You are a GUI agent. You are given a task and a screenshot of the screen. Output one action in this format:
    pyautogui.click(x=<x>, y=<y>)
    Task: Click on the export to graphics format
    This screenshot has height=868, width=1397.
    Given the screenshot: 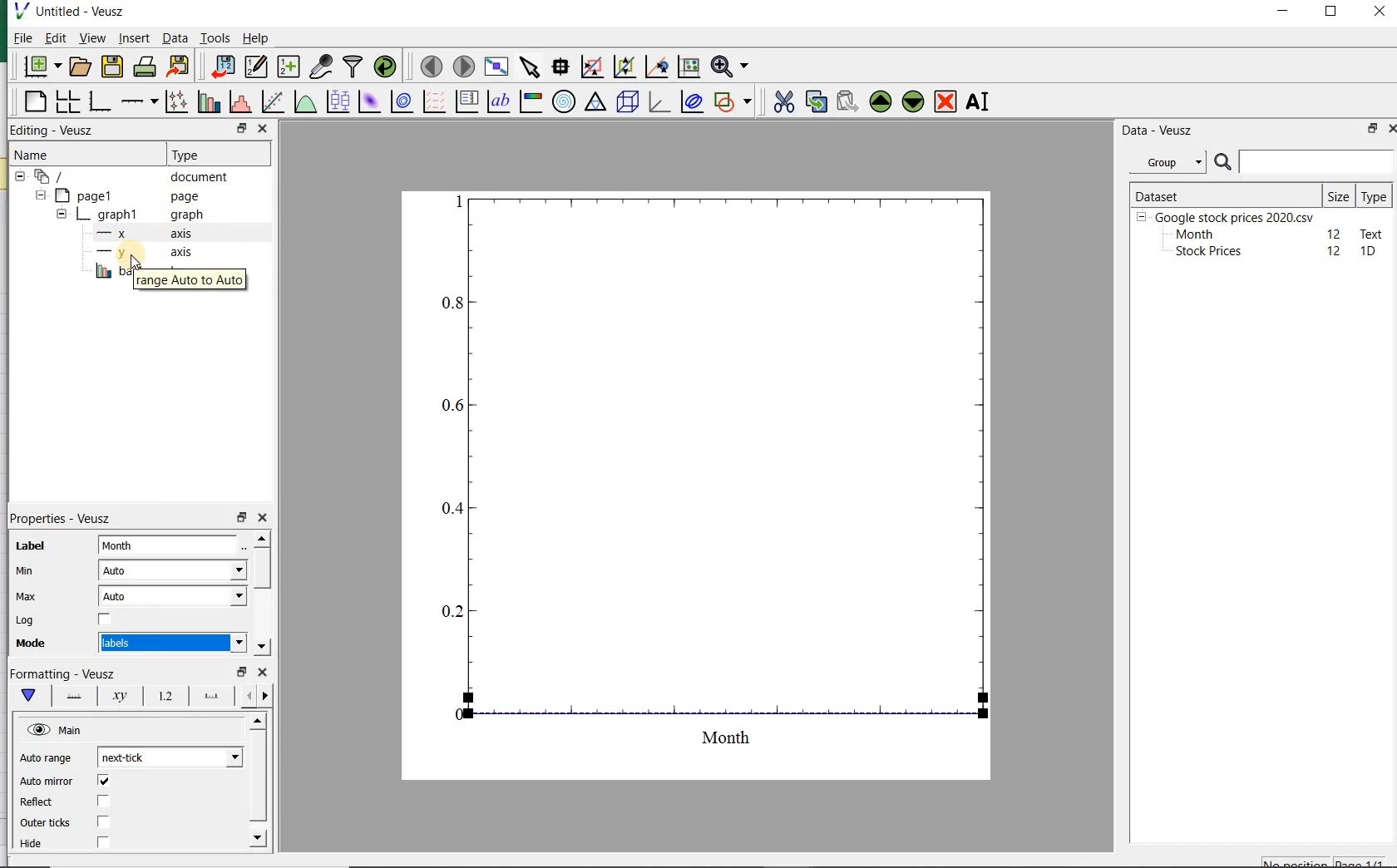 What is the action you would take?
    pyautogui.click(x=179, y=67)
    